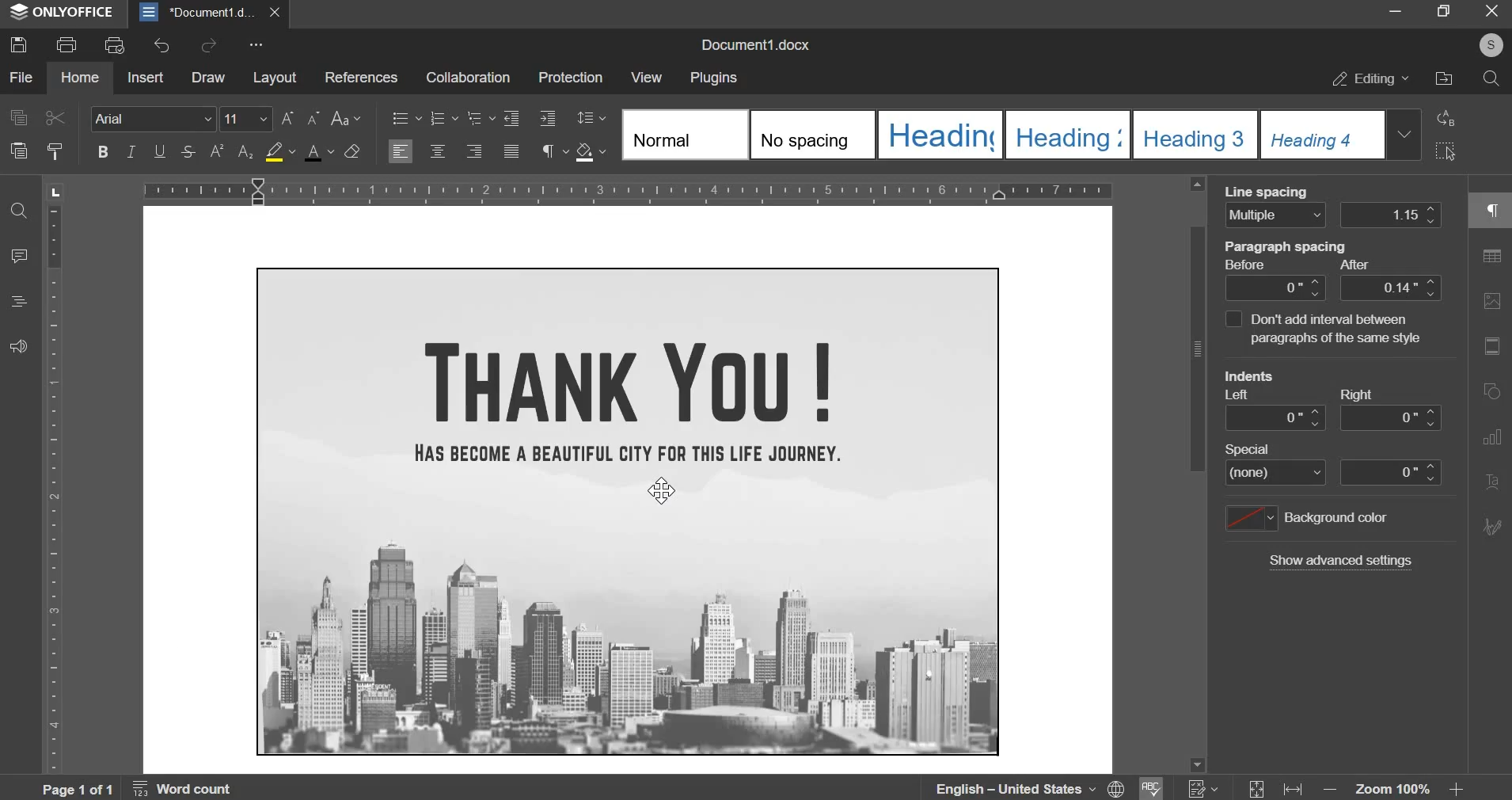 The height and width of the screenshot is (800, 1512). What do you see at coordinates (1354, 264) in the screenshot?
I see `After` at bounding box center [1354, 264].